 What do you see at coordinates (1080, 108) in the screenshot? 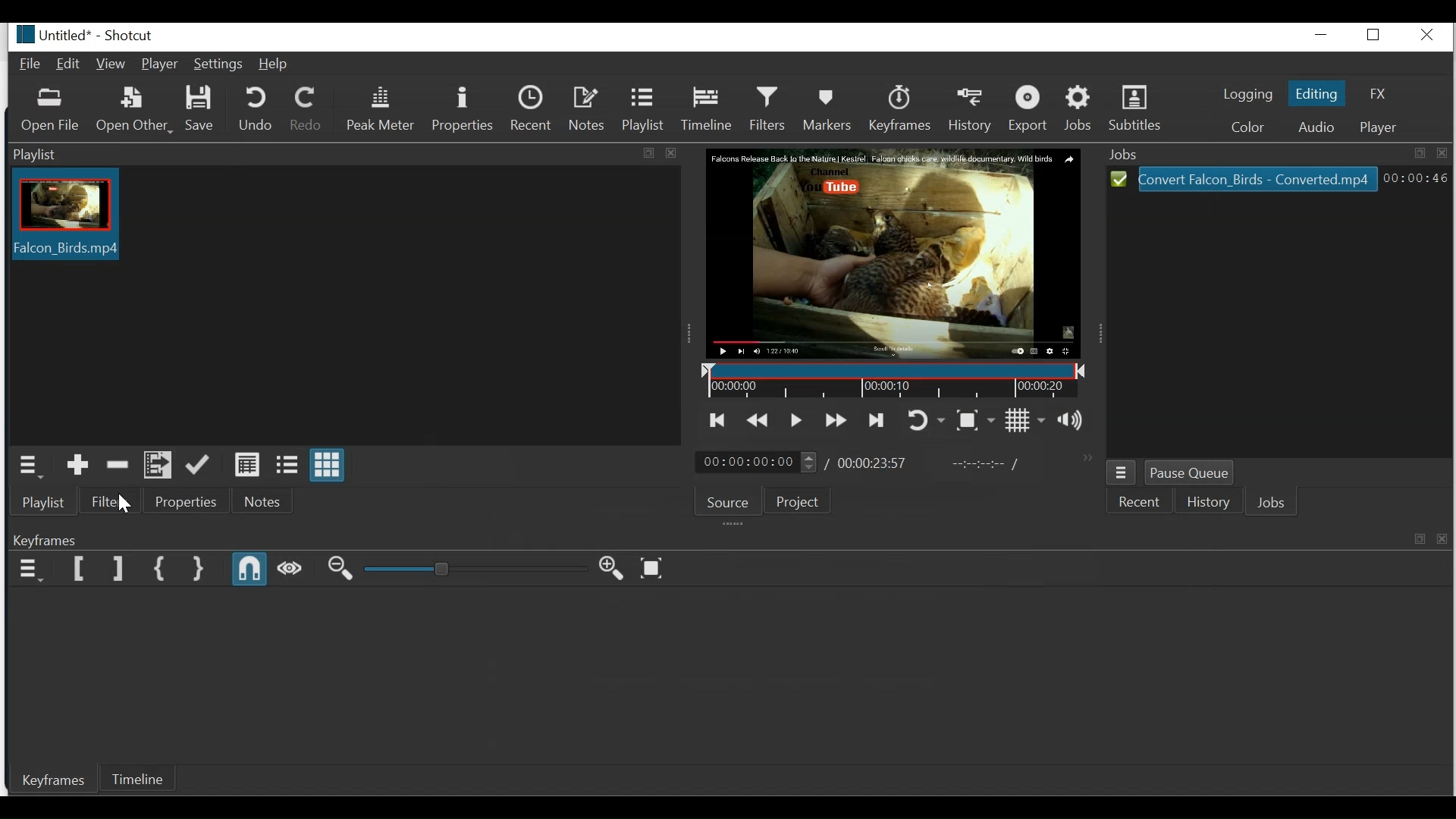
I see `Jobs` at bounding box center [1080, 108].